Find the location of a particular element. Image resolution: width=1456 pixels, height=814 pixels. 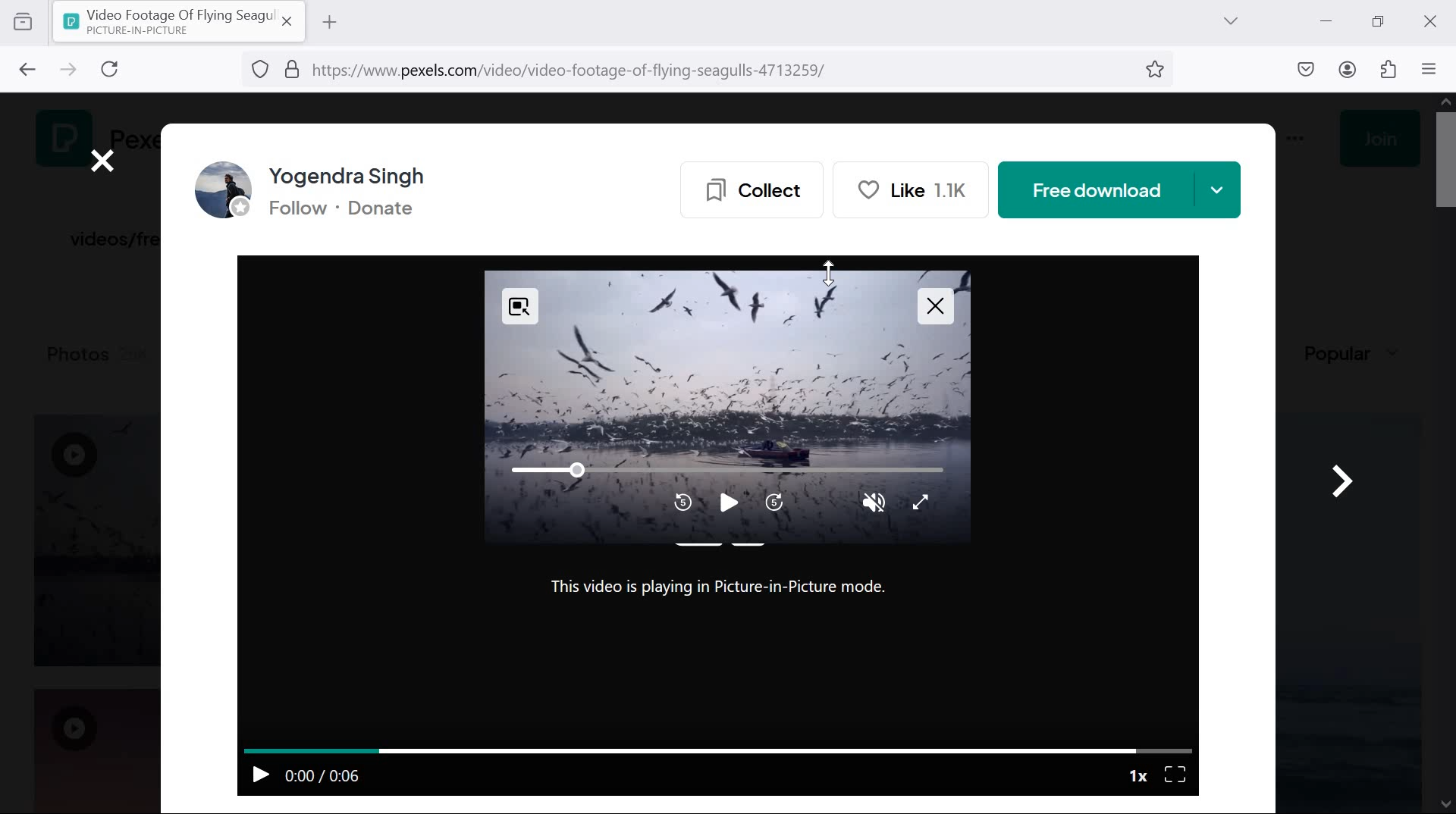

extensions is located at coordinates (1391, 70).